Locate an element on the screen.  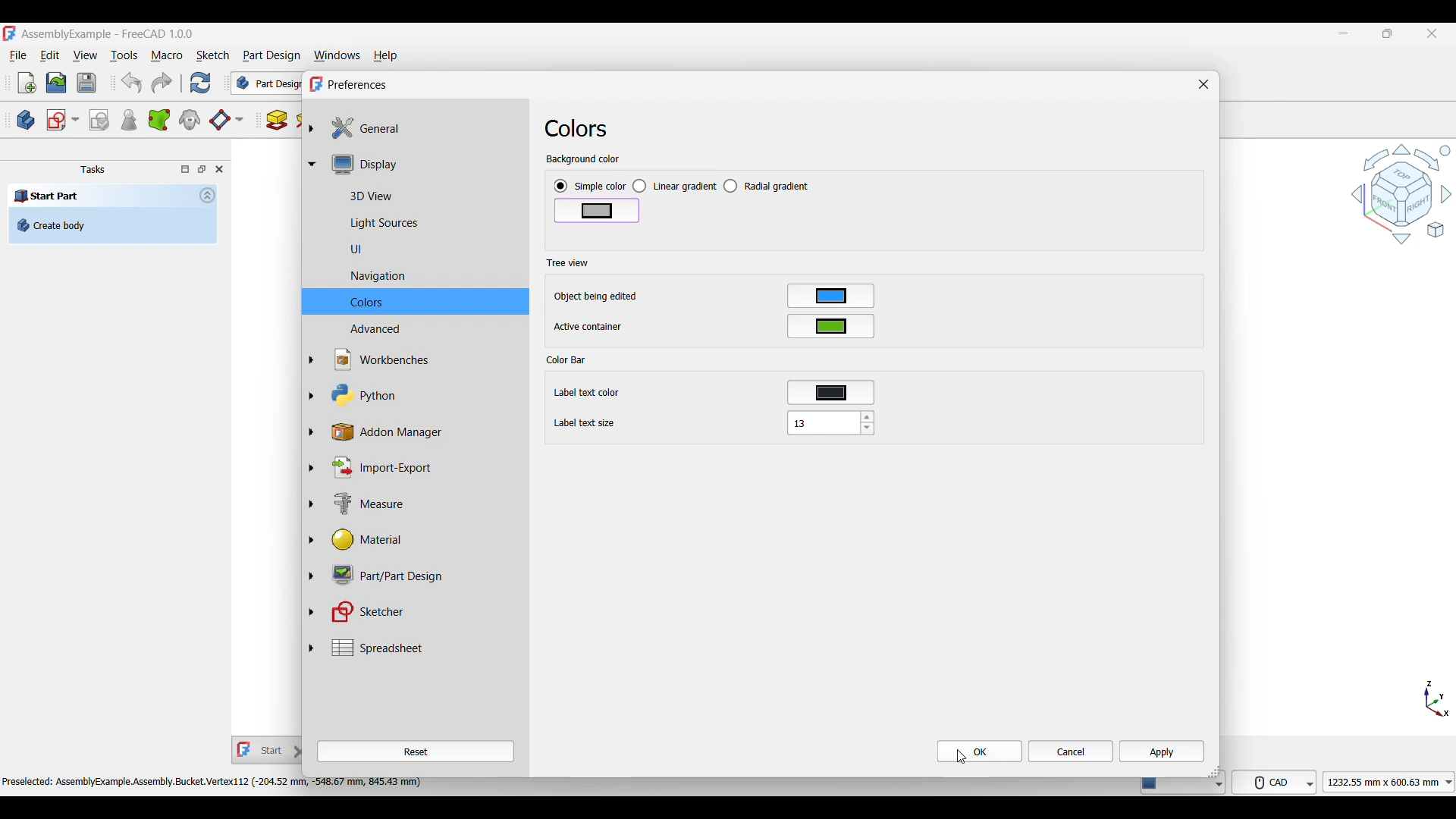
CAD is located at coordinates (1277, 781).